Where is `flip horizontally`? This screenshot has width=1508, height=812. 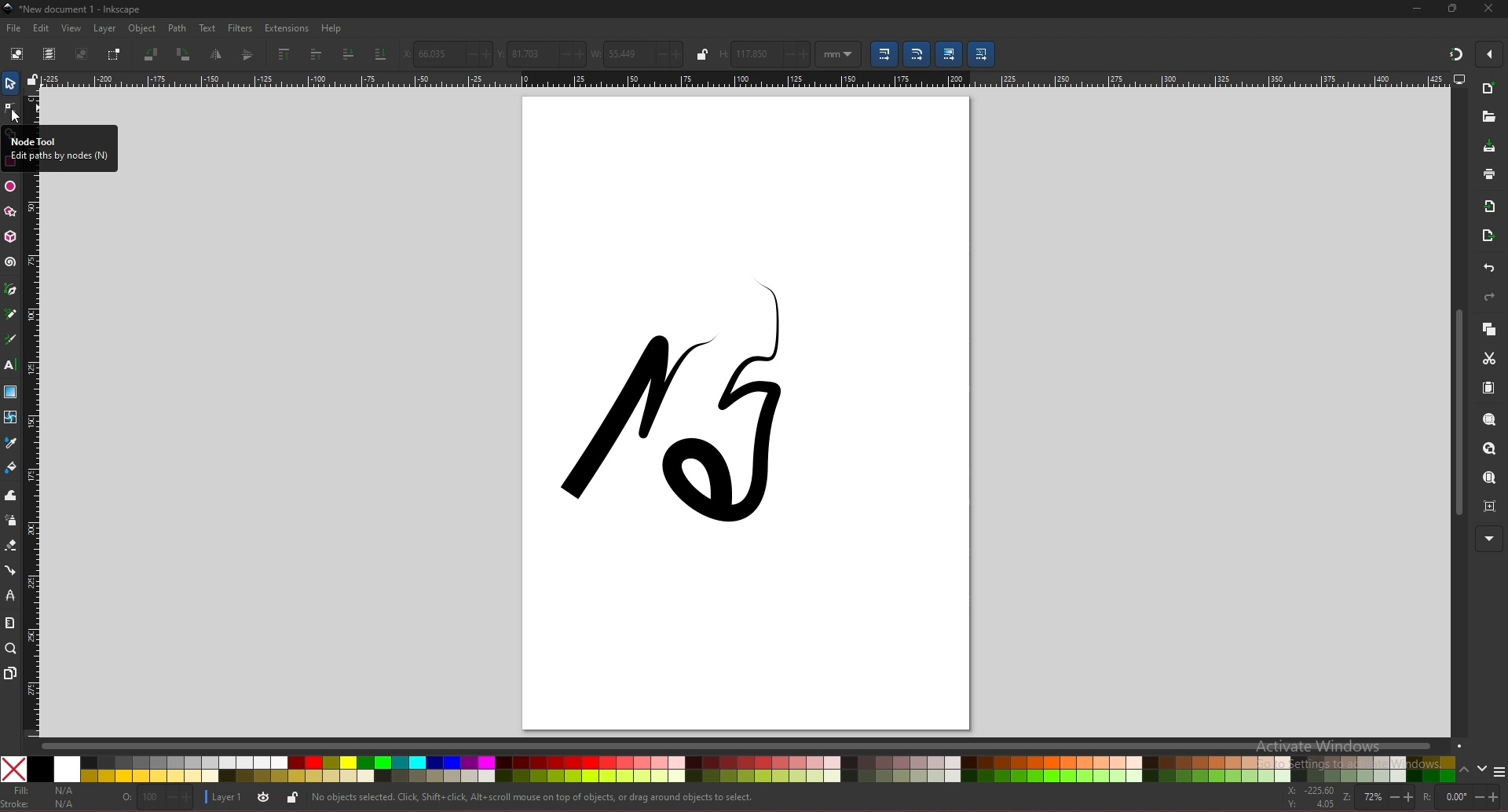
flip horizontally is located at coordinates (250, 55).